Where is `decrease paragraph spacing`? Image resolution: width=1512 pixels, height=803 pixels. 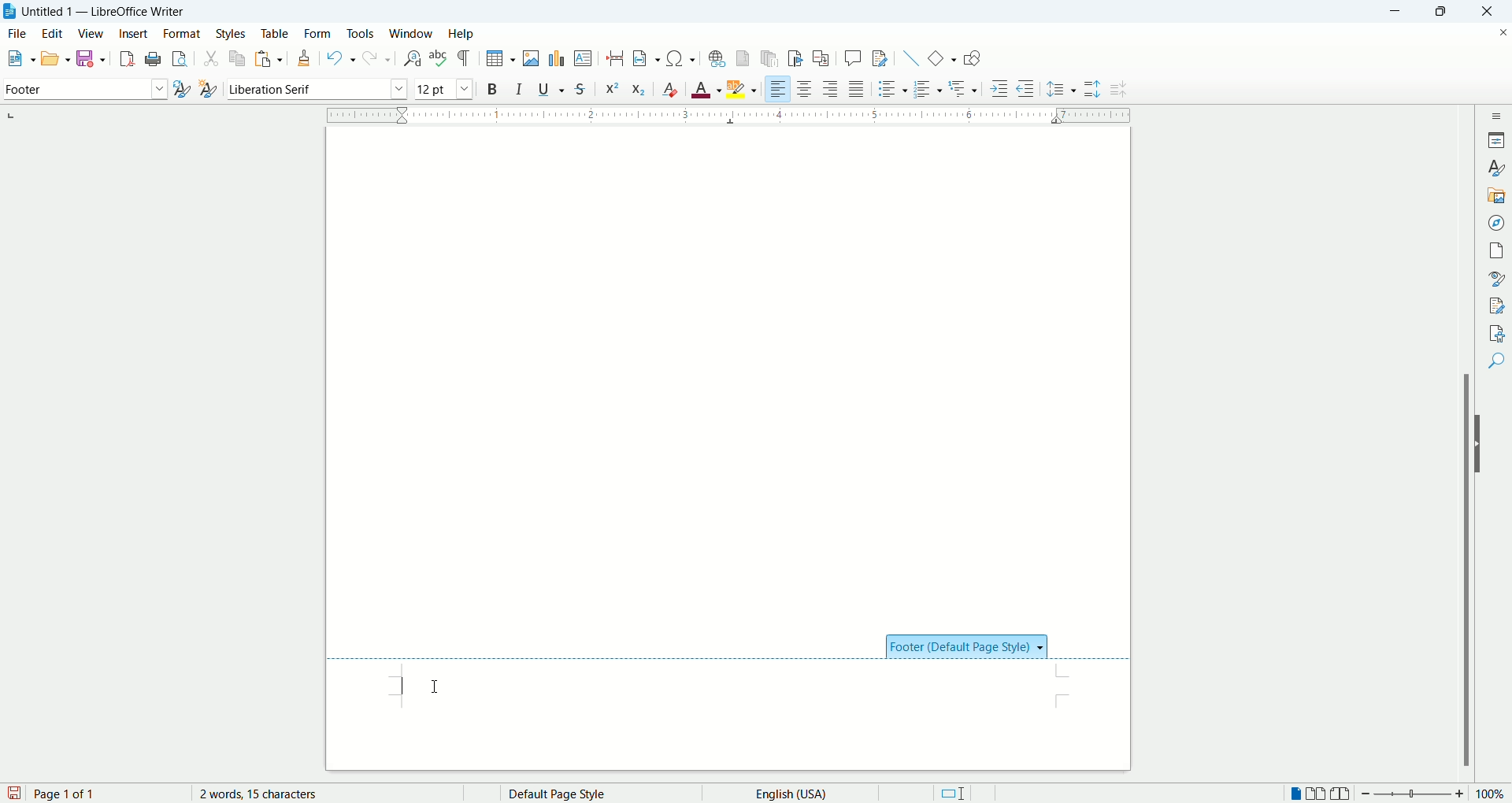 decrease paragraph spacing is located at coordinates (1118, 90).